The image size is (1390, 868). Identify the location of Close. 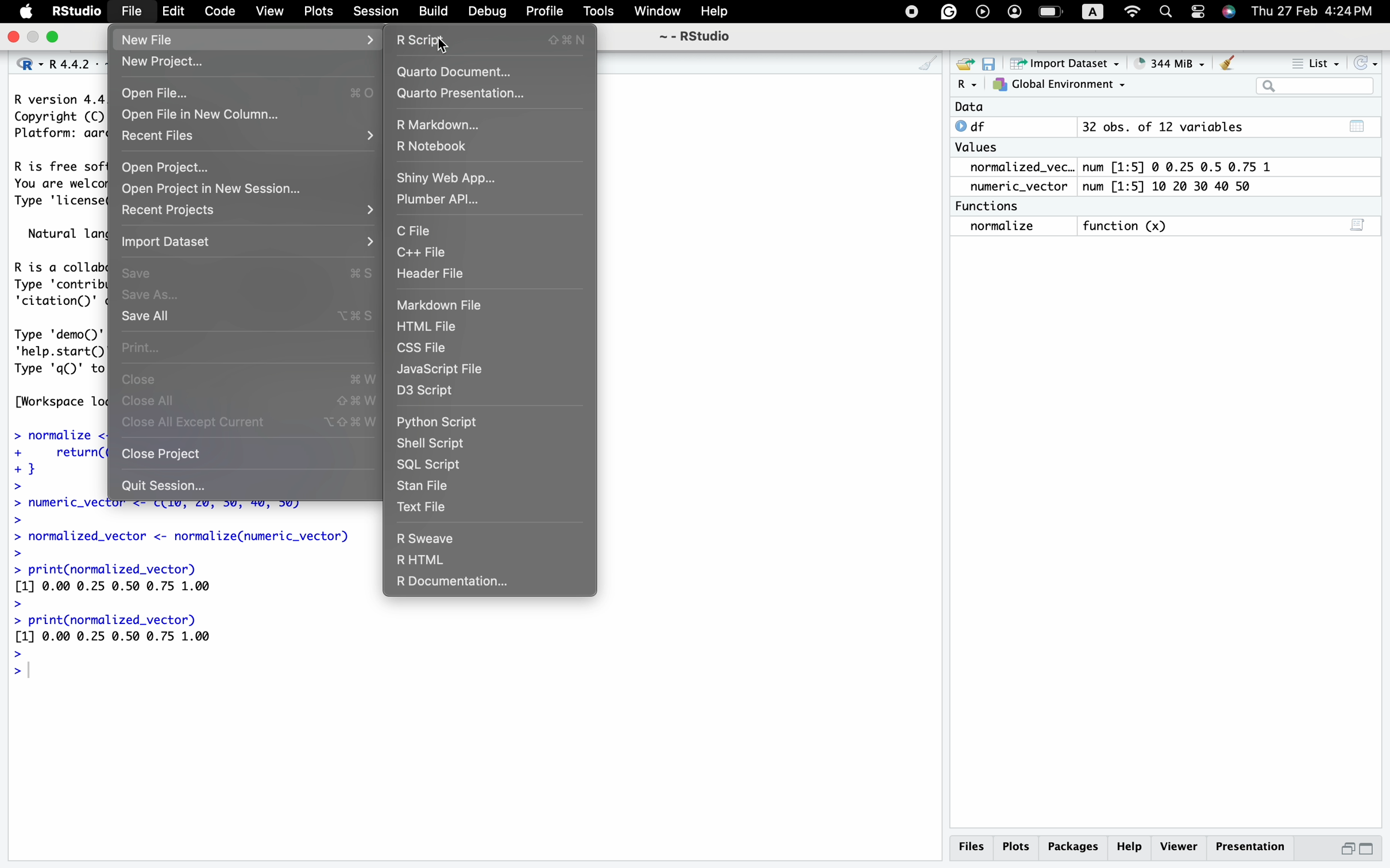
(138, 382).